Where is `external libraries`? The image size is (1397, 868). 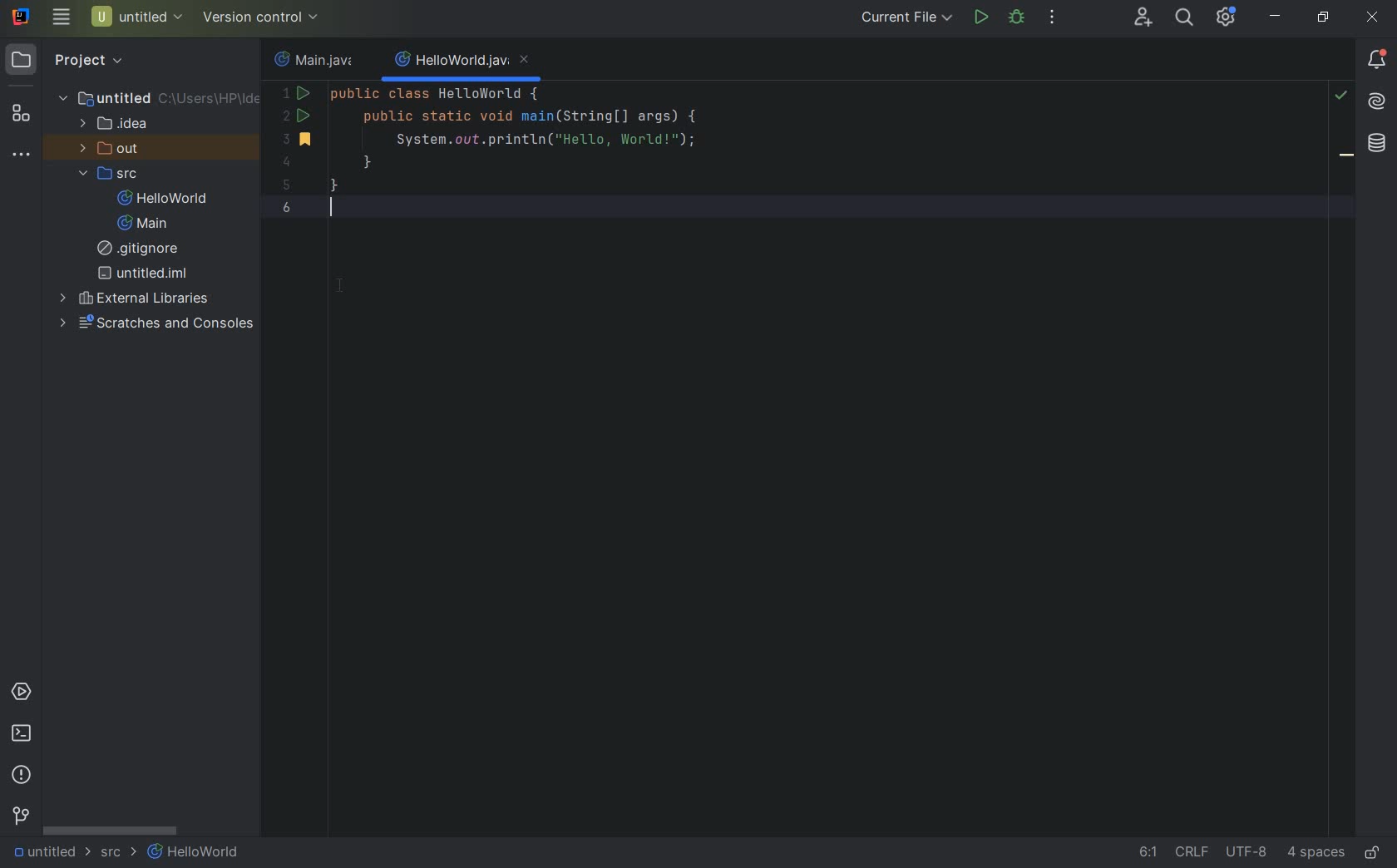
external libraries is located at coordinates (137, 298).